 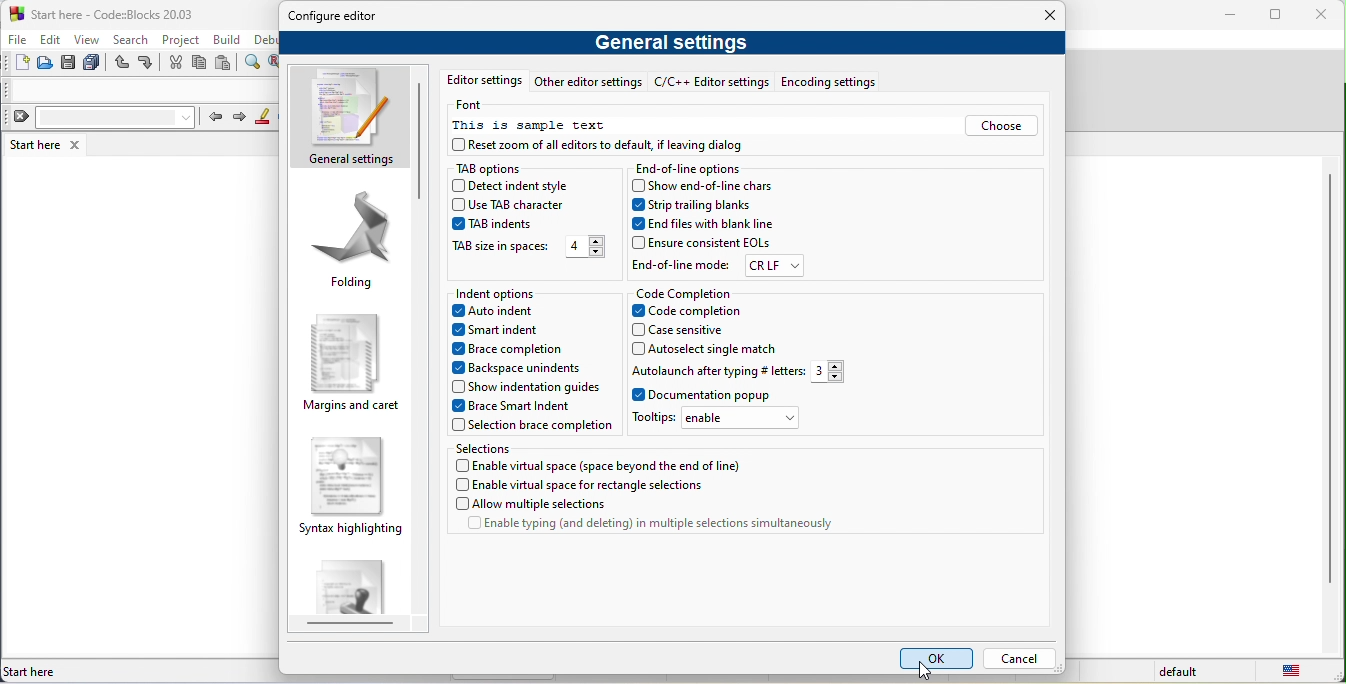 What do you see at coordinates (19, 41) in the screenshot?
I see `file` at bounding box center [19, 41].